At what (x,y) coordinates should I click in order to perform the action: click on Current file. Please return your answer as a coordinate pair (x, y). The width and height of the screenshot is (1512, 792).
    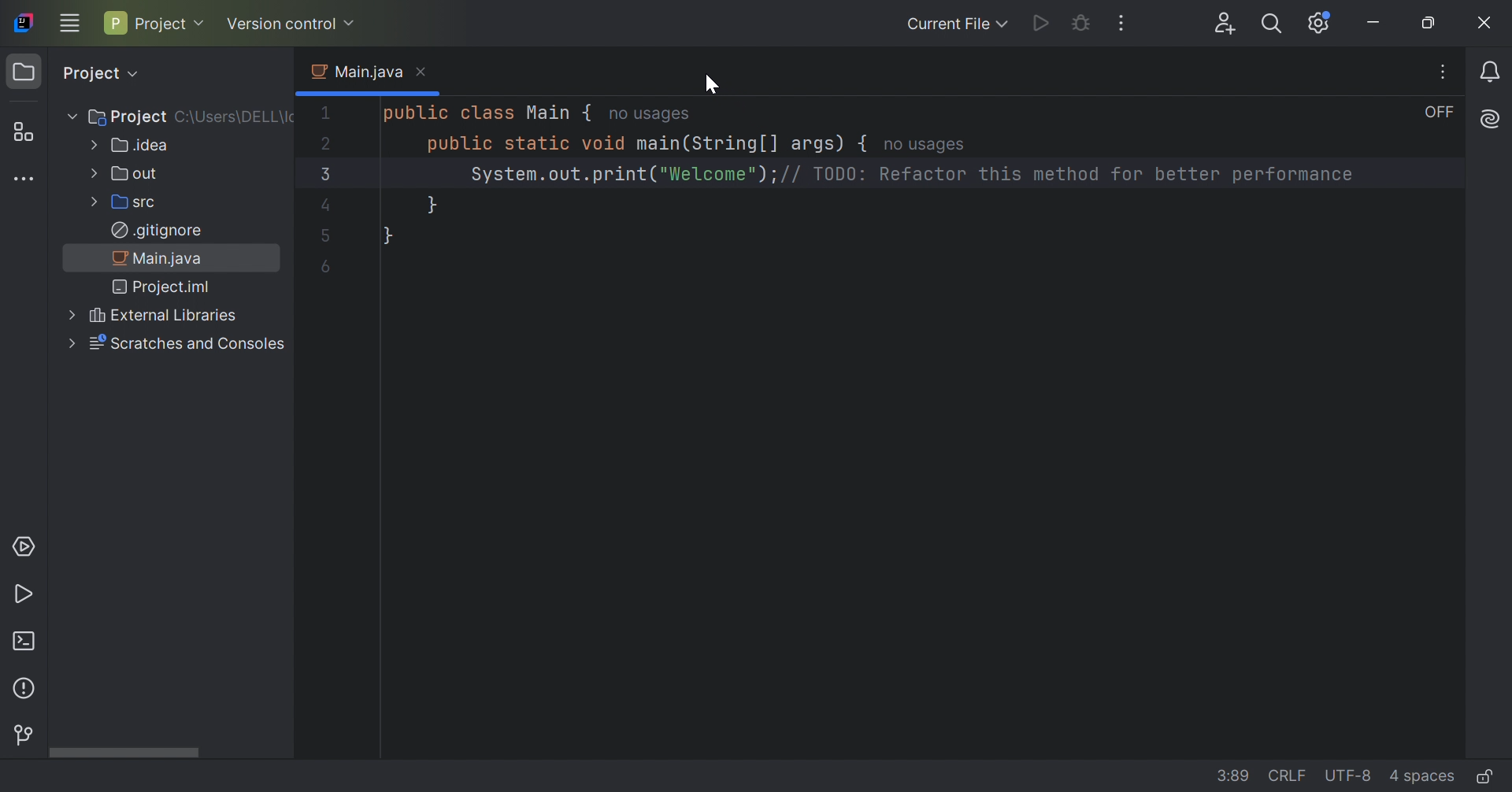
    Looking at the image, I should click on (954, 25).